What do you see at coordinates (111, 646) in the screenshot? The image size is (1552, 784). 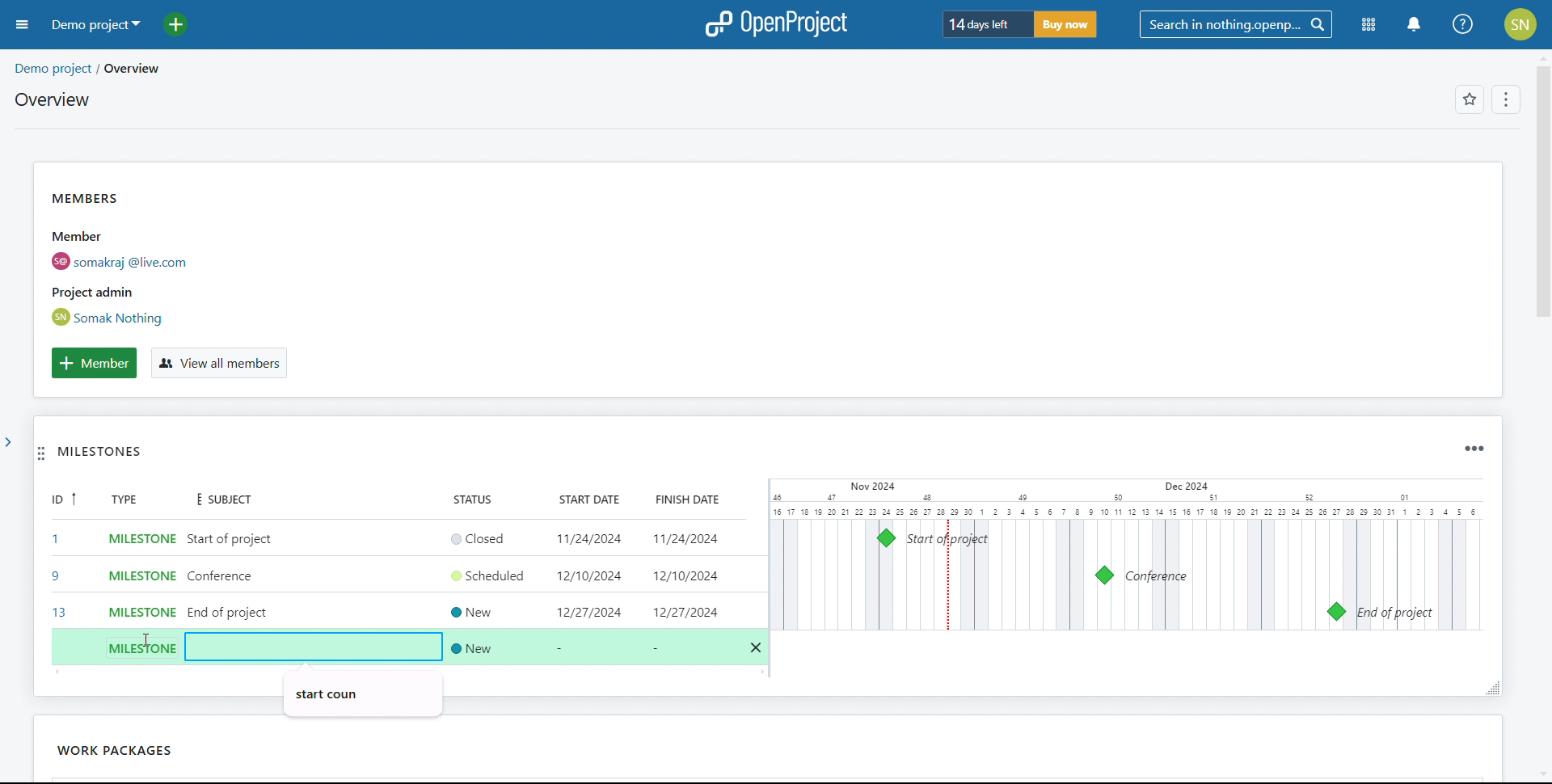 I see `create new work package` at bounding box center [111, 646].